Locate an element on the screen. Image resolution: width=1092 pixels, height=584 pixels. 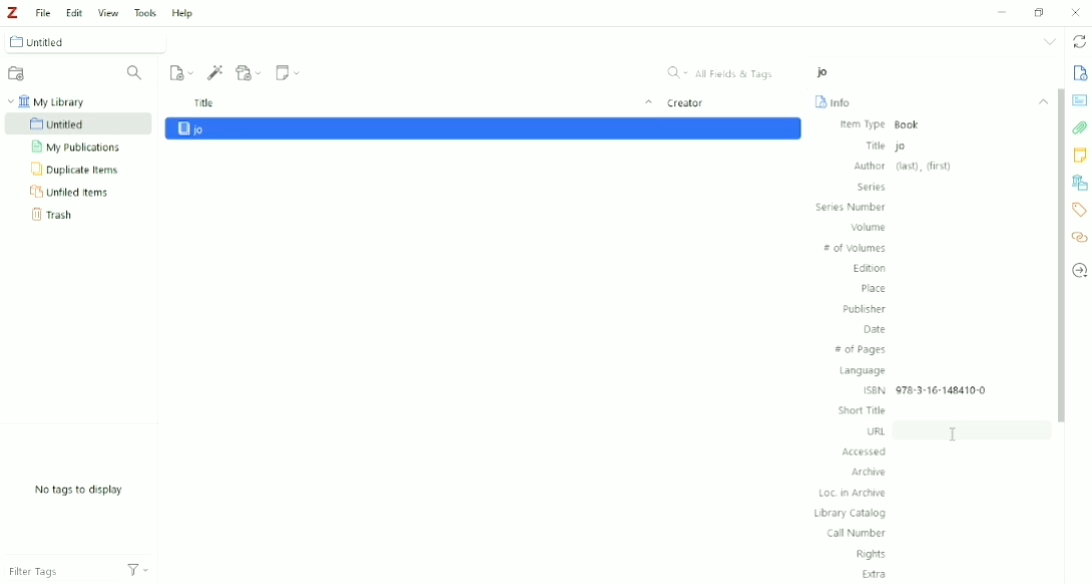
Edition is located at coordinates (869, 269).